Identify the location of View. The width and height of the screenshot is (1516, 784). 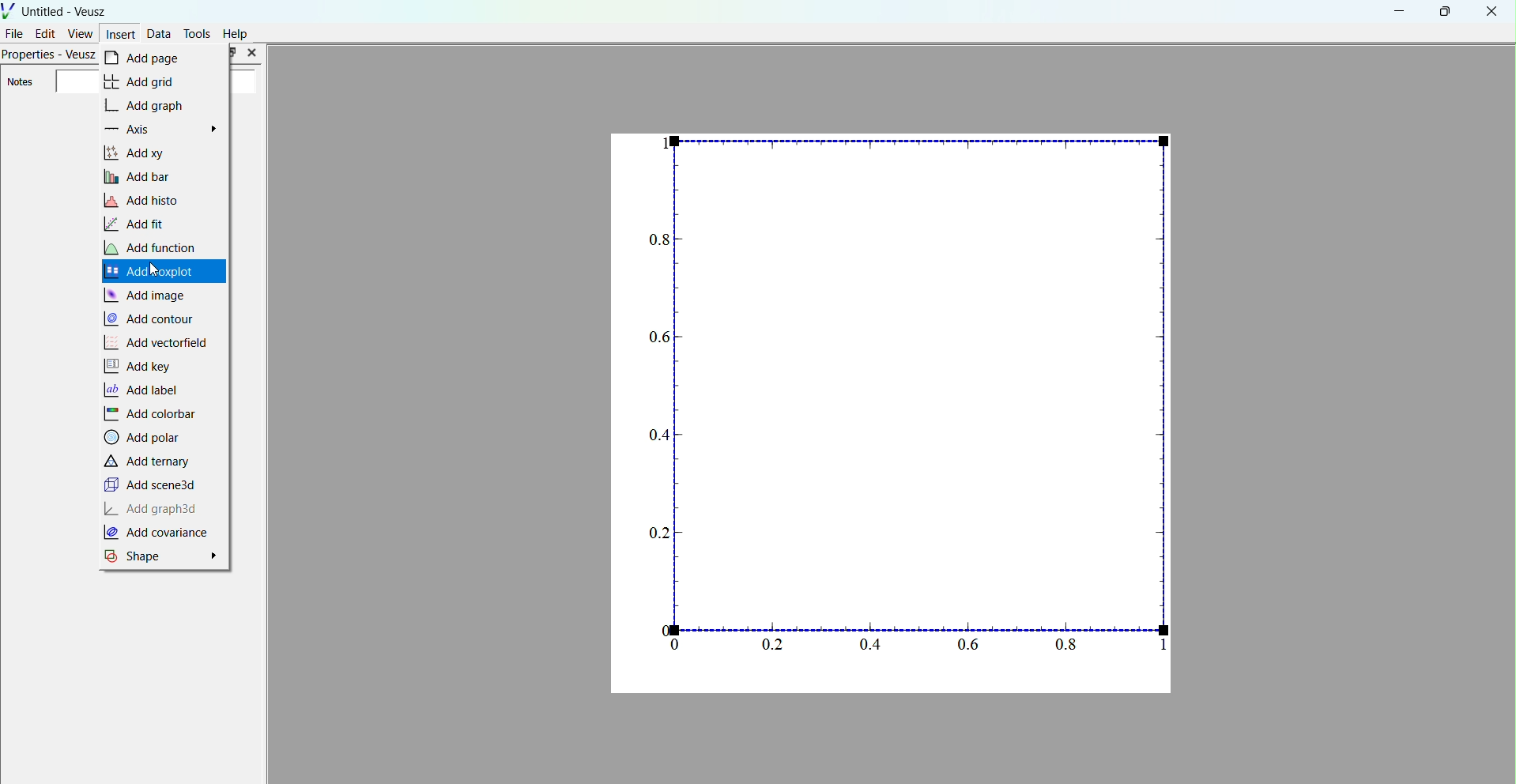
(80, 33).